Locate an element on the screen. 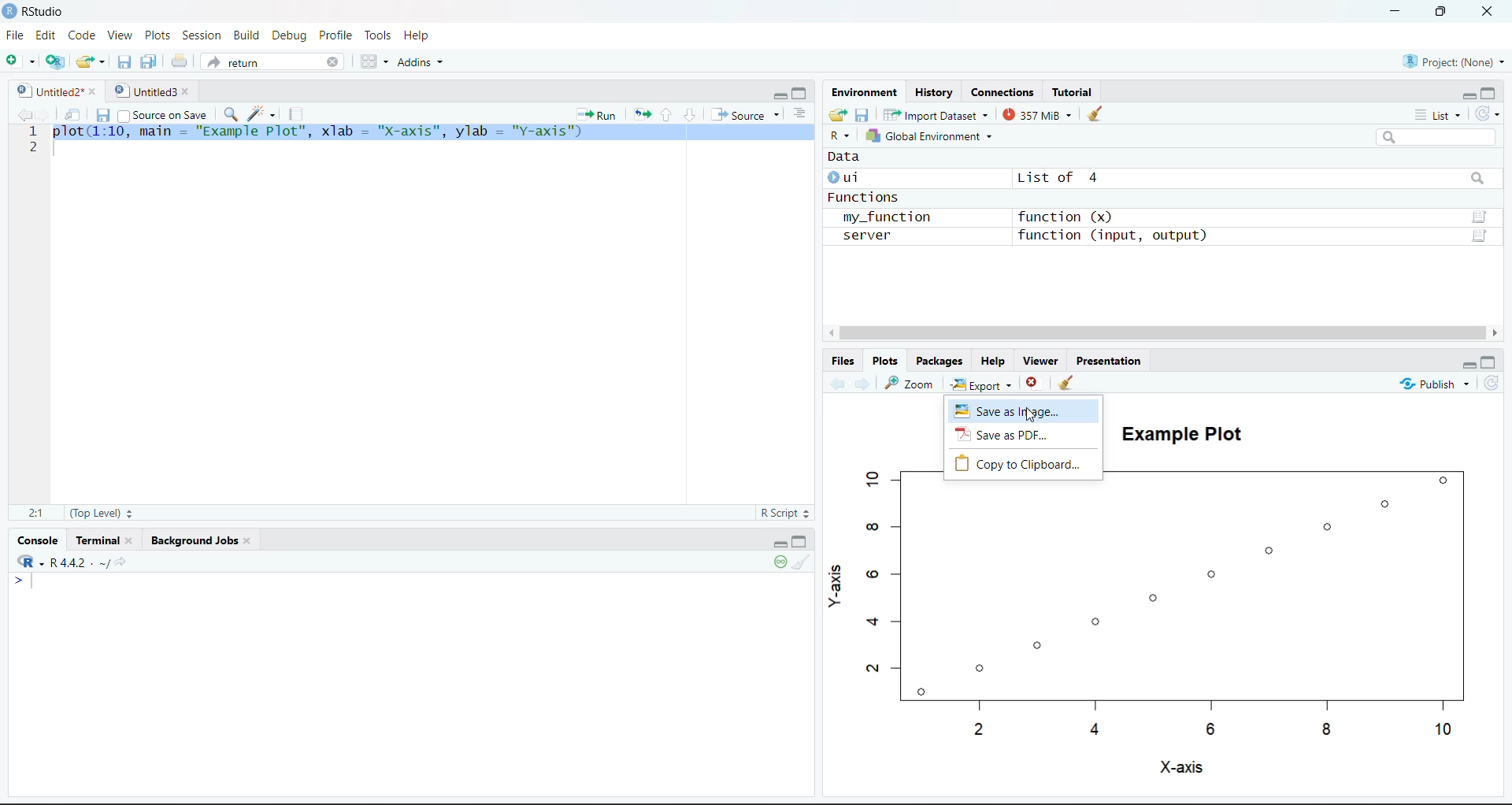  Find/Replace is located at coordinates (229, 113).